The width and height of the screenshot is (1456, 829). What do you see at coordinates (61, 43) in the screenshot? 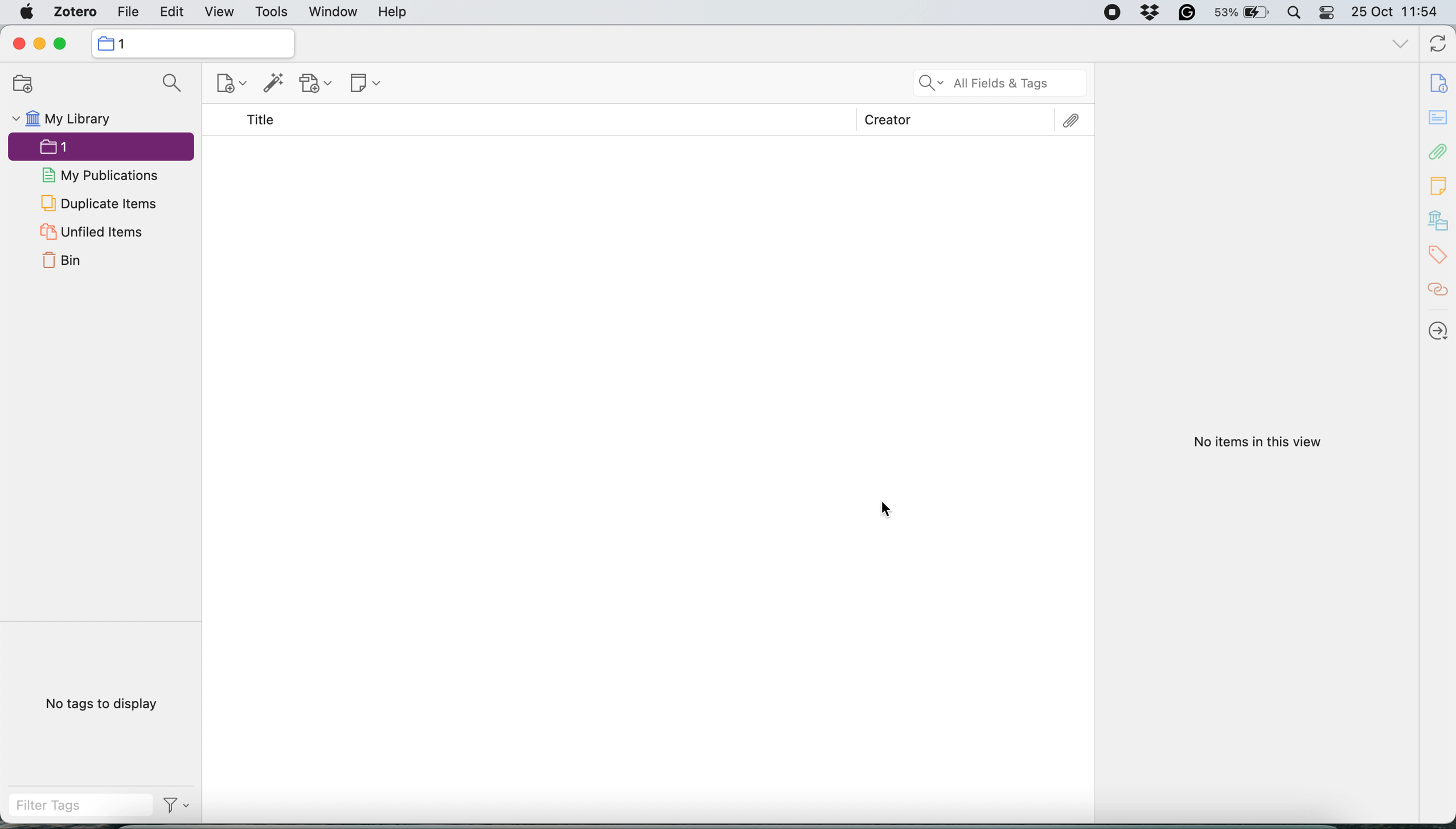
I see `maximise` at bounding box center [61, 43].